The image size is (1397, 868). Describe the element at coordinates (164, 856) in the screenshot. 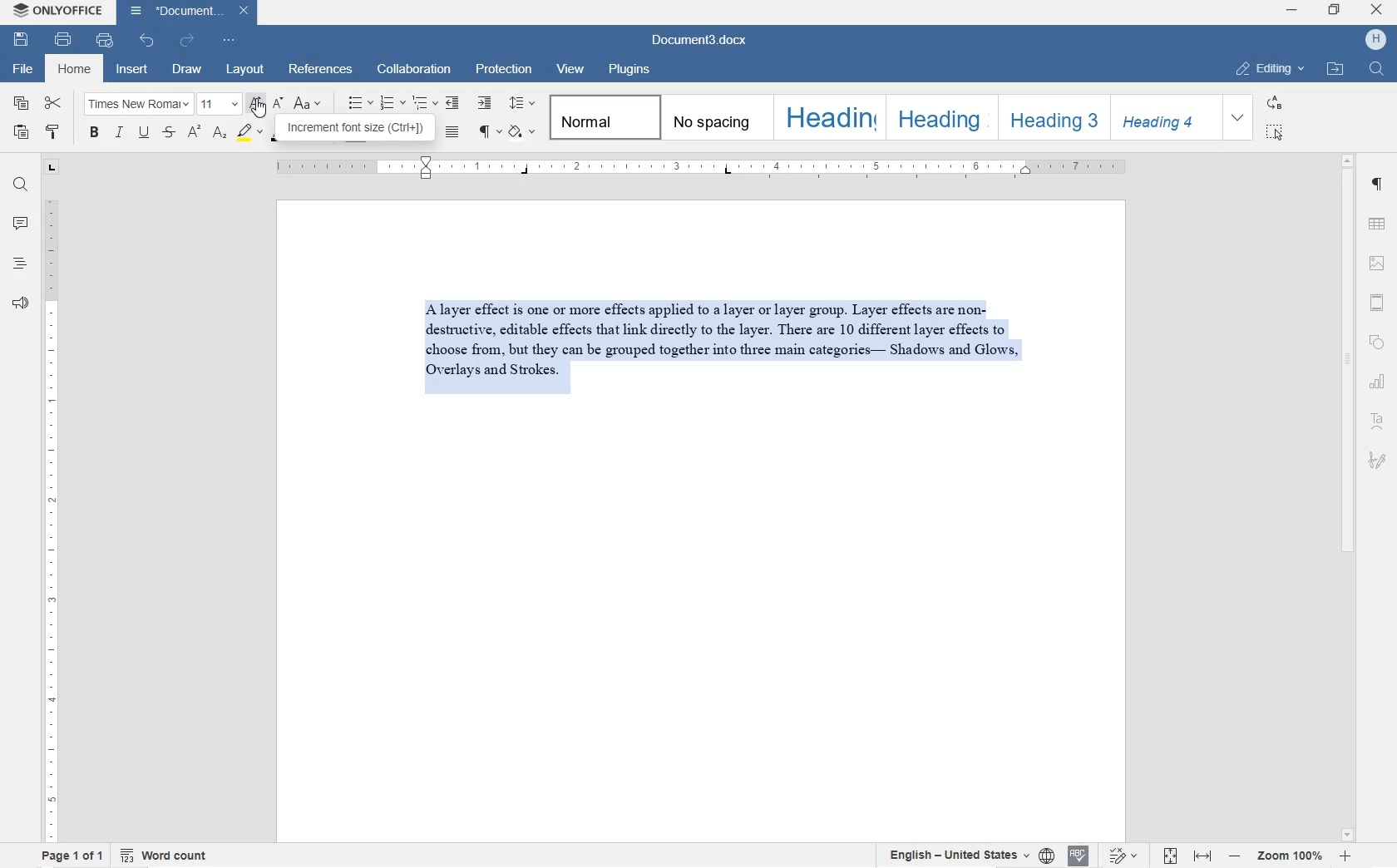

I see `word count` at that location.